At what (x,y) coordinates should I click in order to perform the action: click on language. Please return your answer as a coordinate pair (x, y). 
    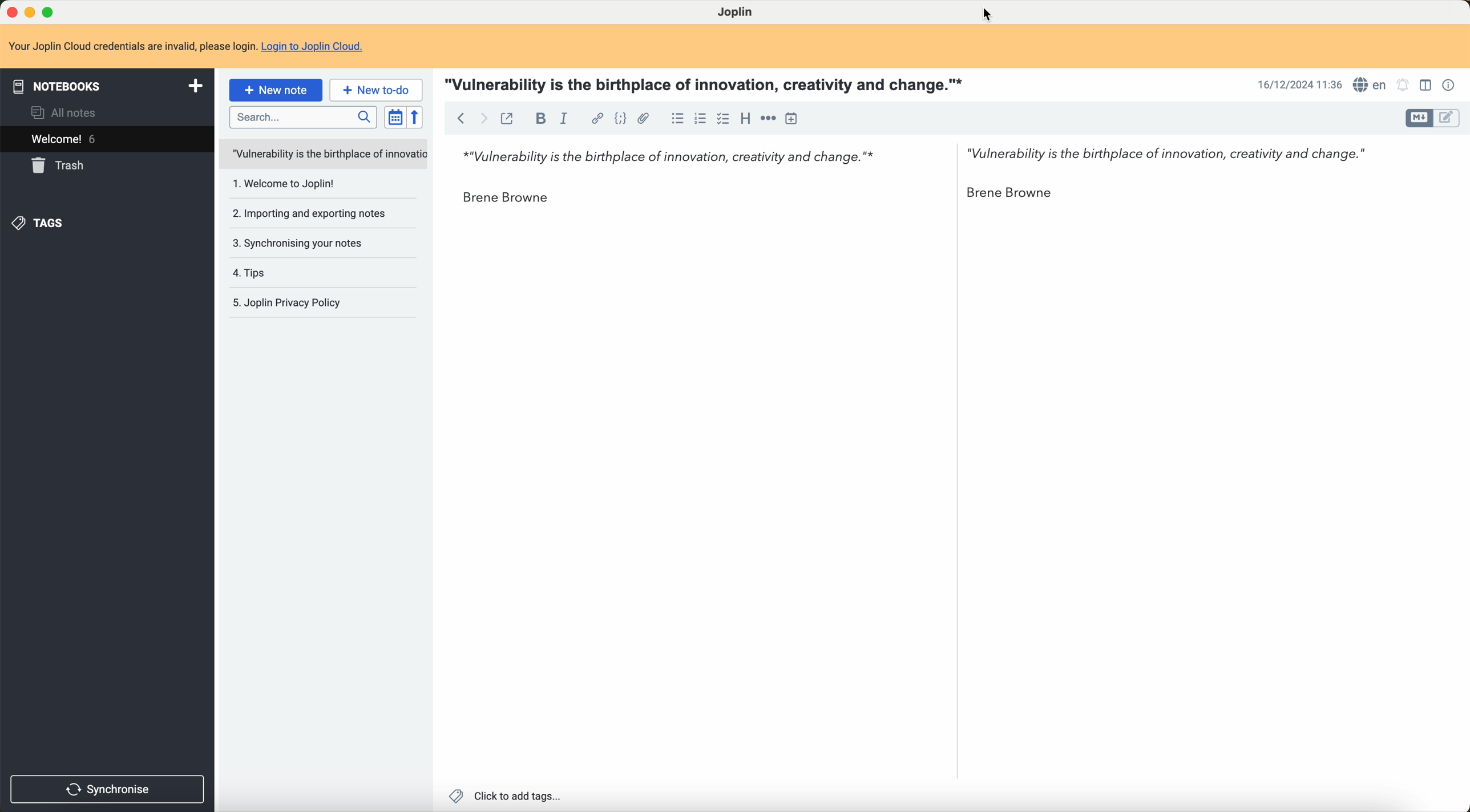
    Looking at the image, I should click on (1372, 86).